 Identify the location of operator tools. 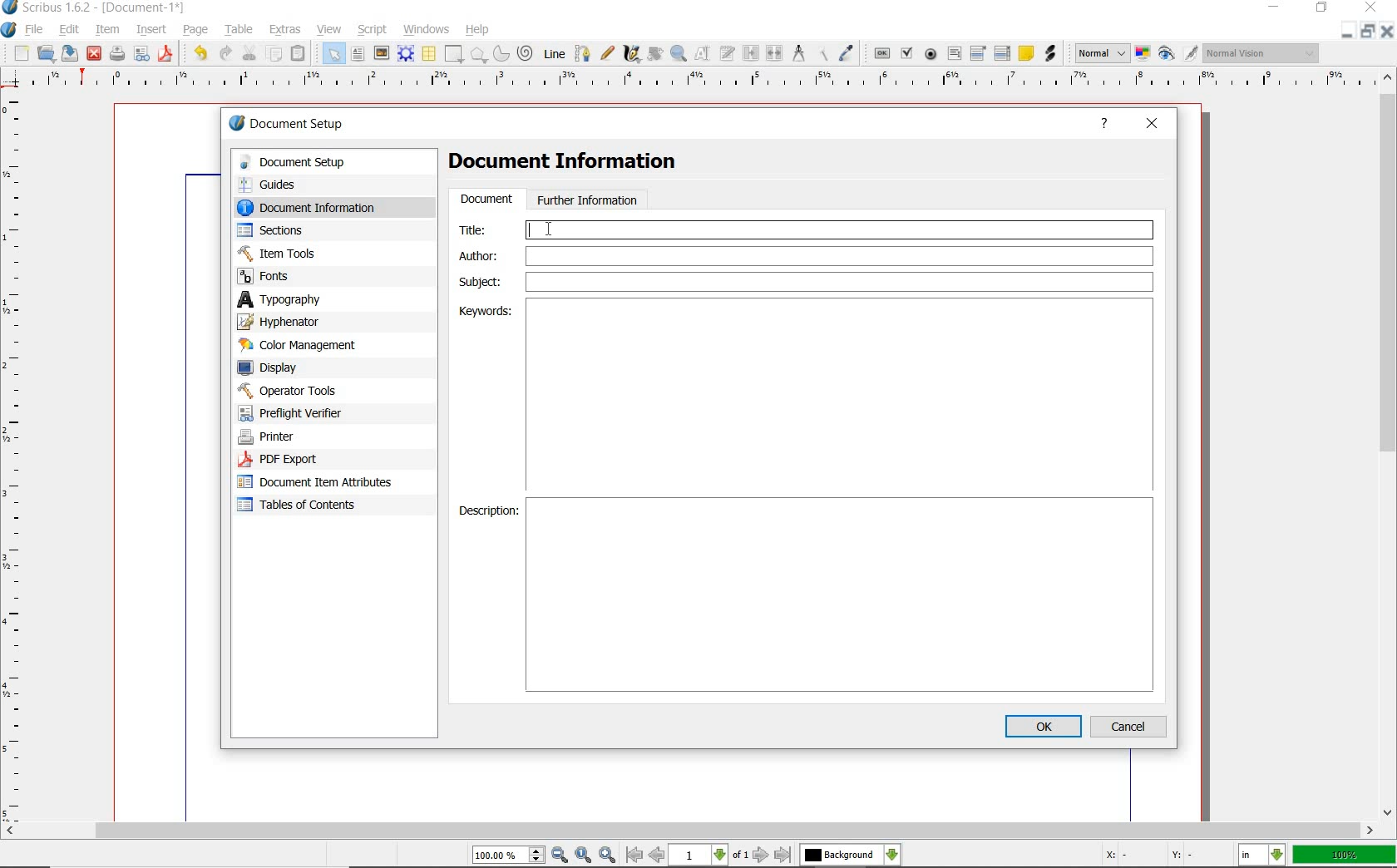
(310, 391).